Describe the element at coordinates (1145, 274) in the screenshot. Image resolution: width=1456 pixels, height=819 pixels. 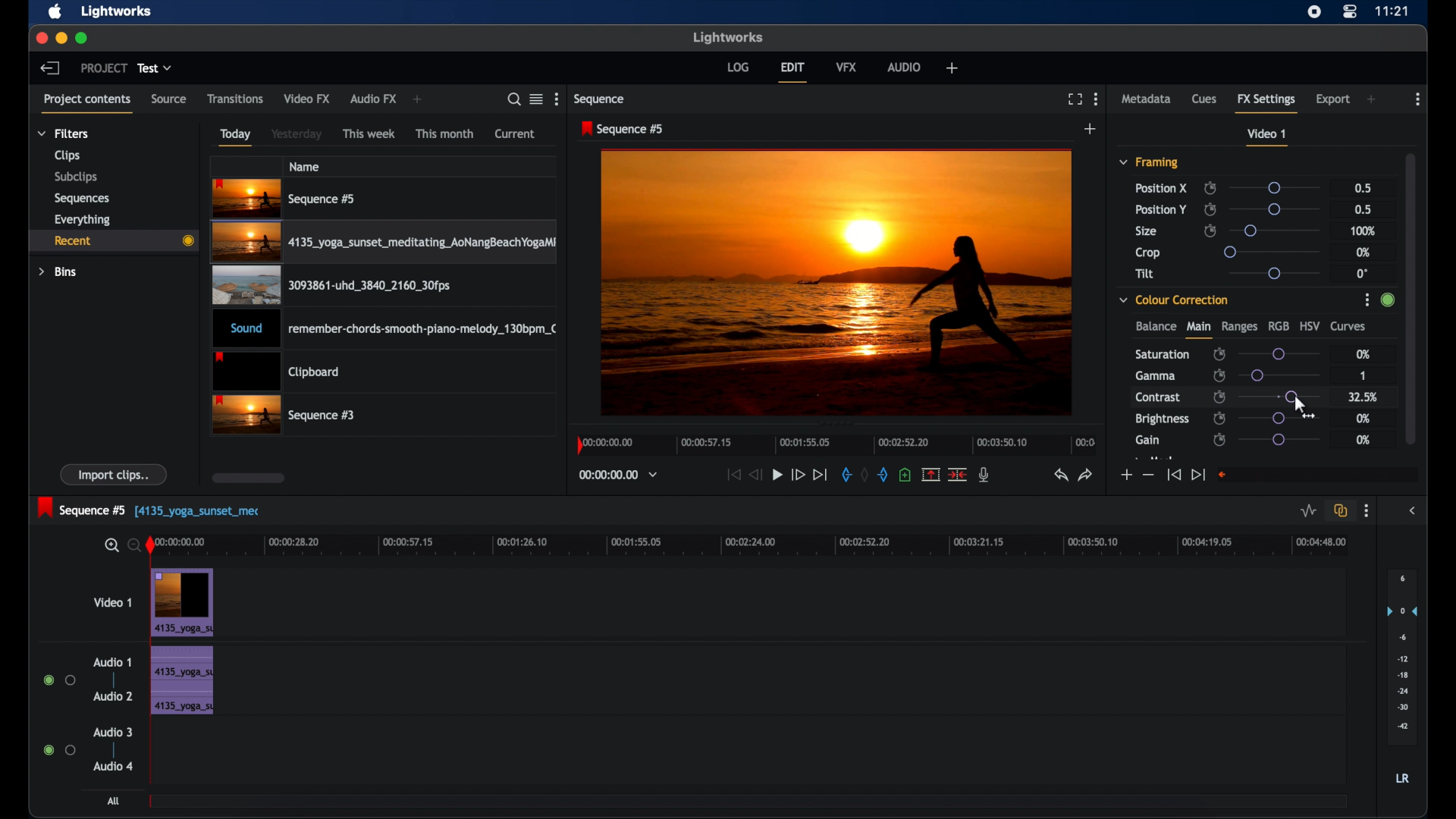
I see `tilt` at that location.